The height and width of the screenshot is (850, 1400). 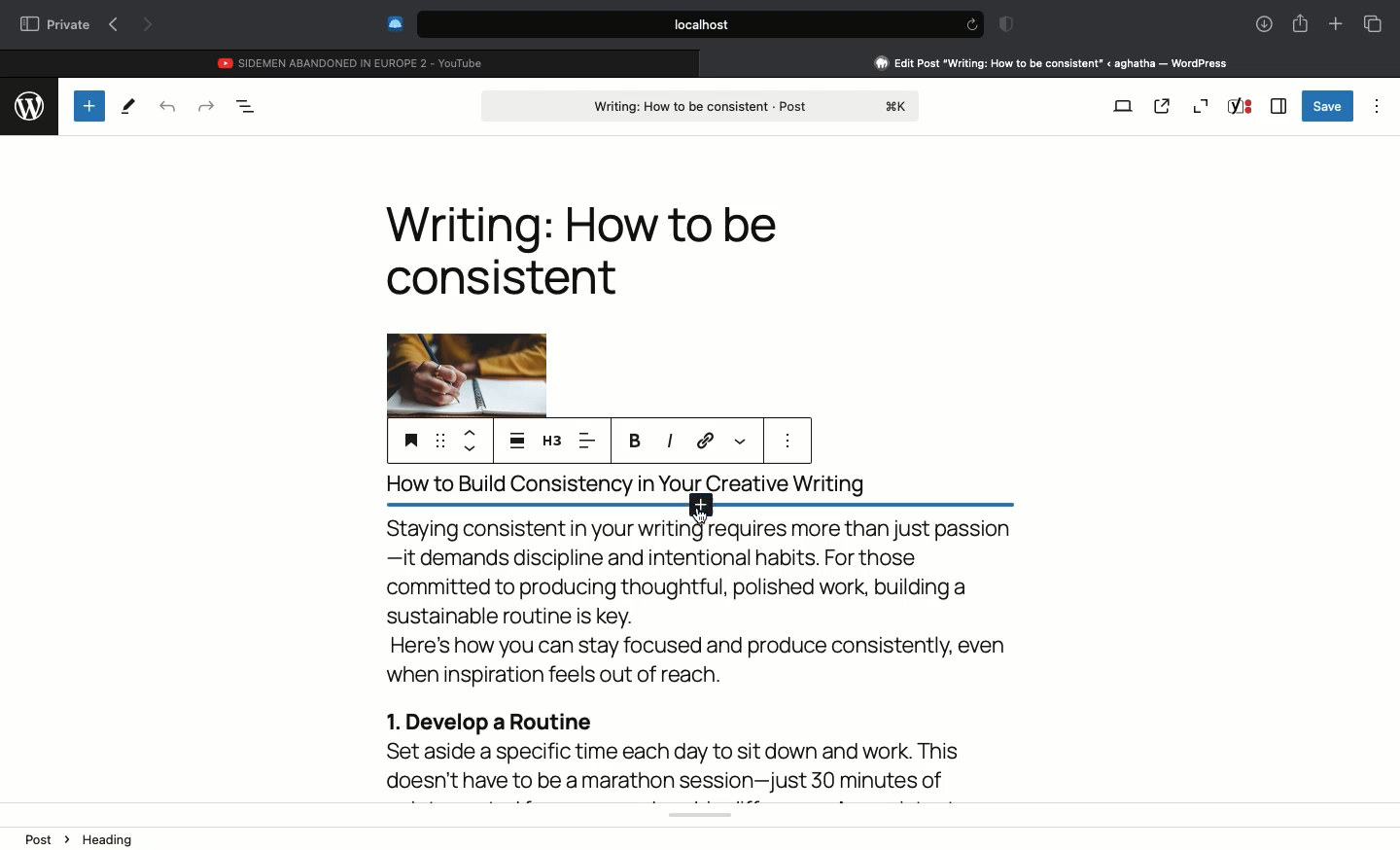 What do you see at coordinates (393, 23) in the screenshot?
I see `Extensions` at bounding box center [393, 23].